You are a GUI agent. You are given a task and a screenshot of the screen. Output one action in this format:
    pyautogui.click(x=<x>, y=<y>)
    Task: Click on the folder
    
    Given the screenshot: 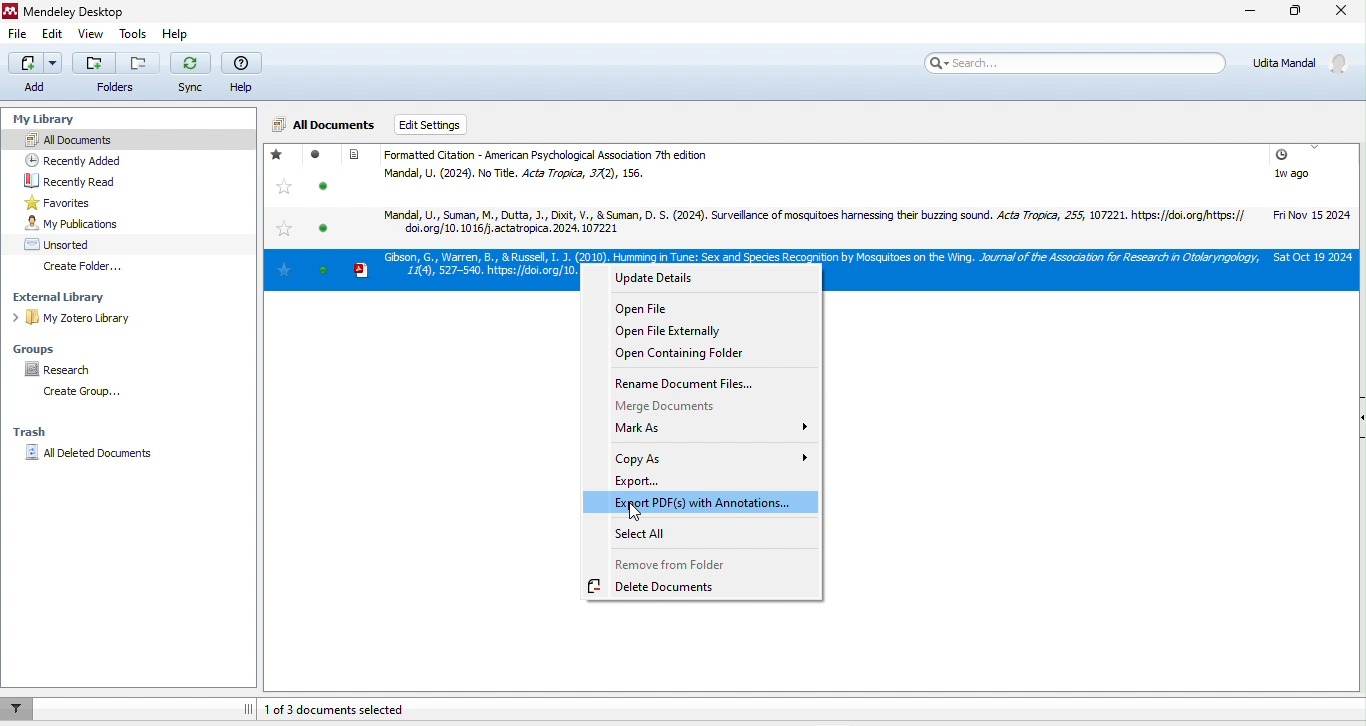 What is the action you would take?
    pyautogui.click(x=117, y=73)
    